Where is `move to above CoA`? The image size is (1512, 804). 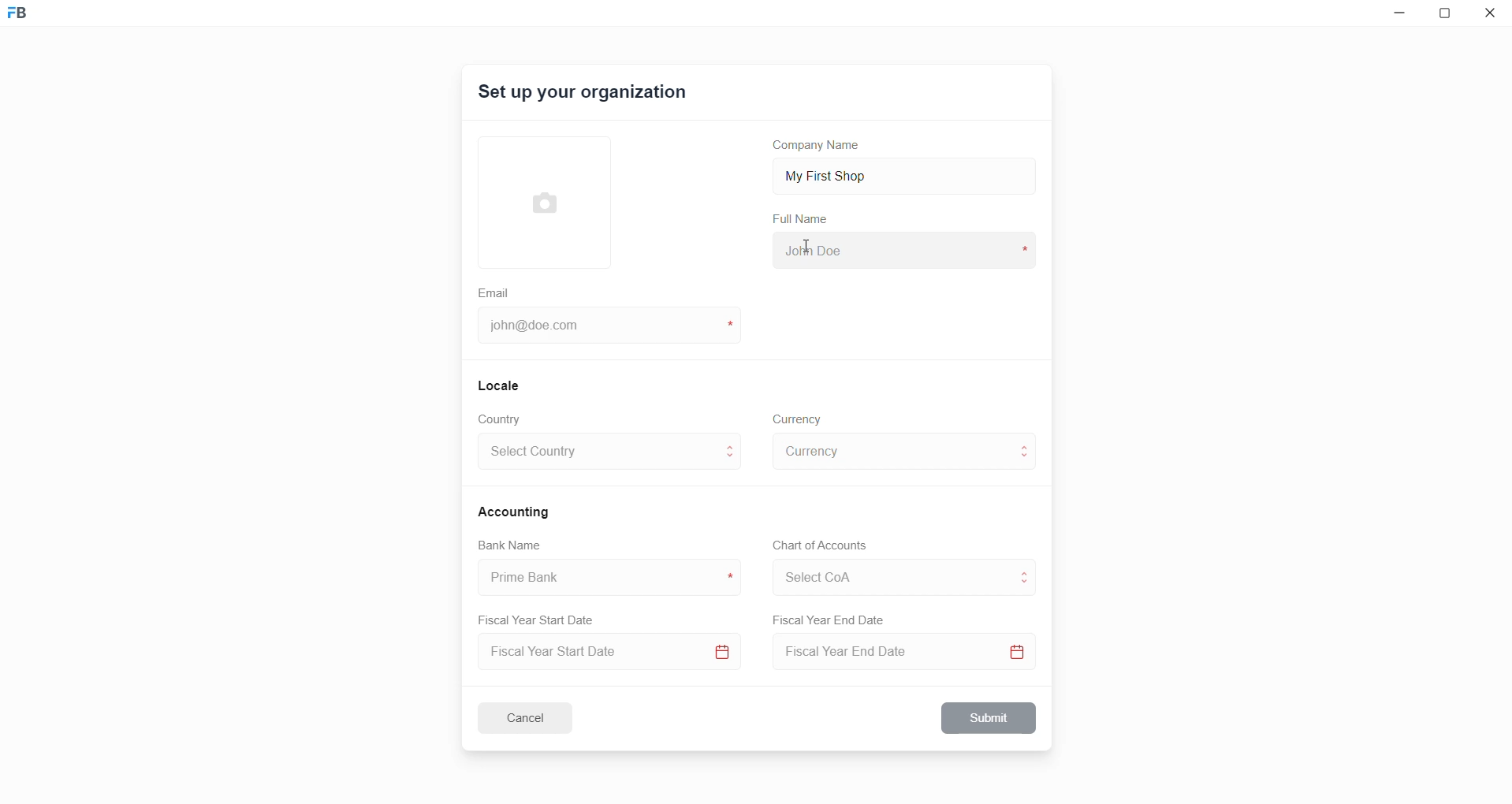
move to above CoA is located at coordinates (1028, 571).